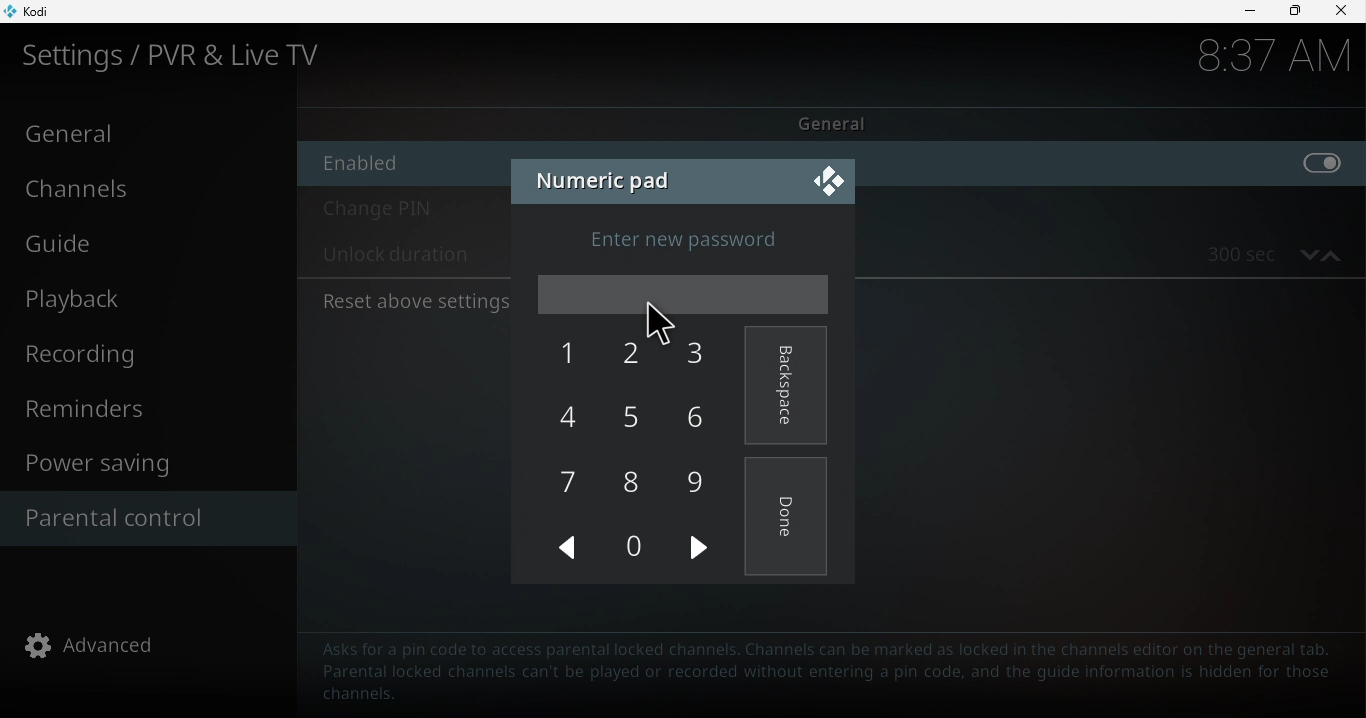 The width and height of the screenshot is (1366, 718). What do you see at coordinates (152, 412) in the screenshot?
I see `Reminders` at bounding box center [152, 412].